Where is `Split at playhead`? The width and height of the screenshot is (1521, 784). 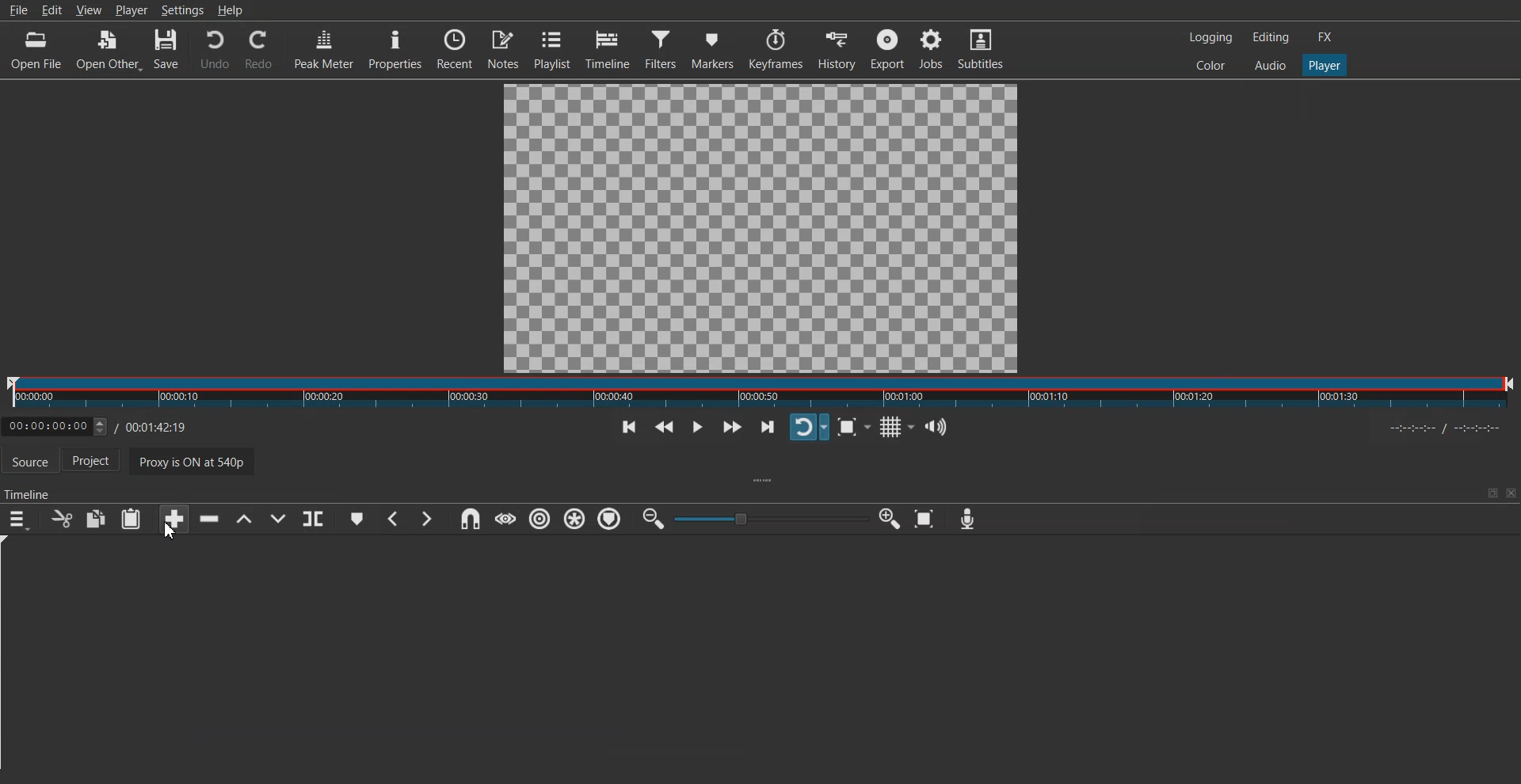 Split at playhead is located at coordinates (313, 519).